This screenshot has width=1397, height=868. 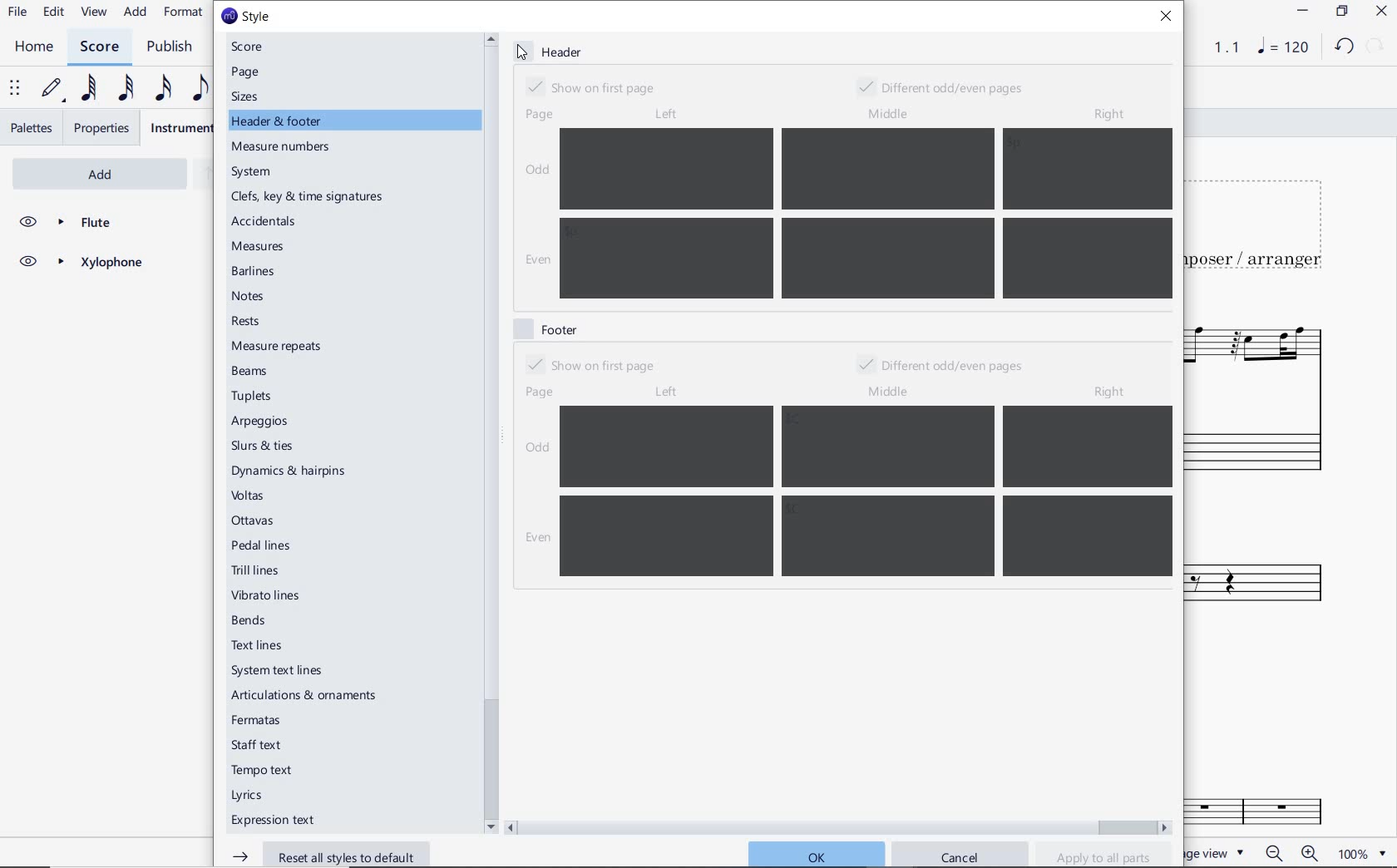 I want to click on enter data, so click(x=865, y=214).